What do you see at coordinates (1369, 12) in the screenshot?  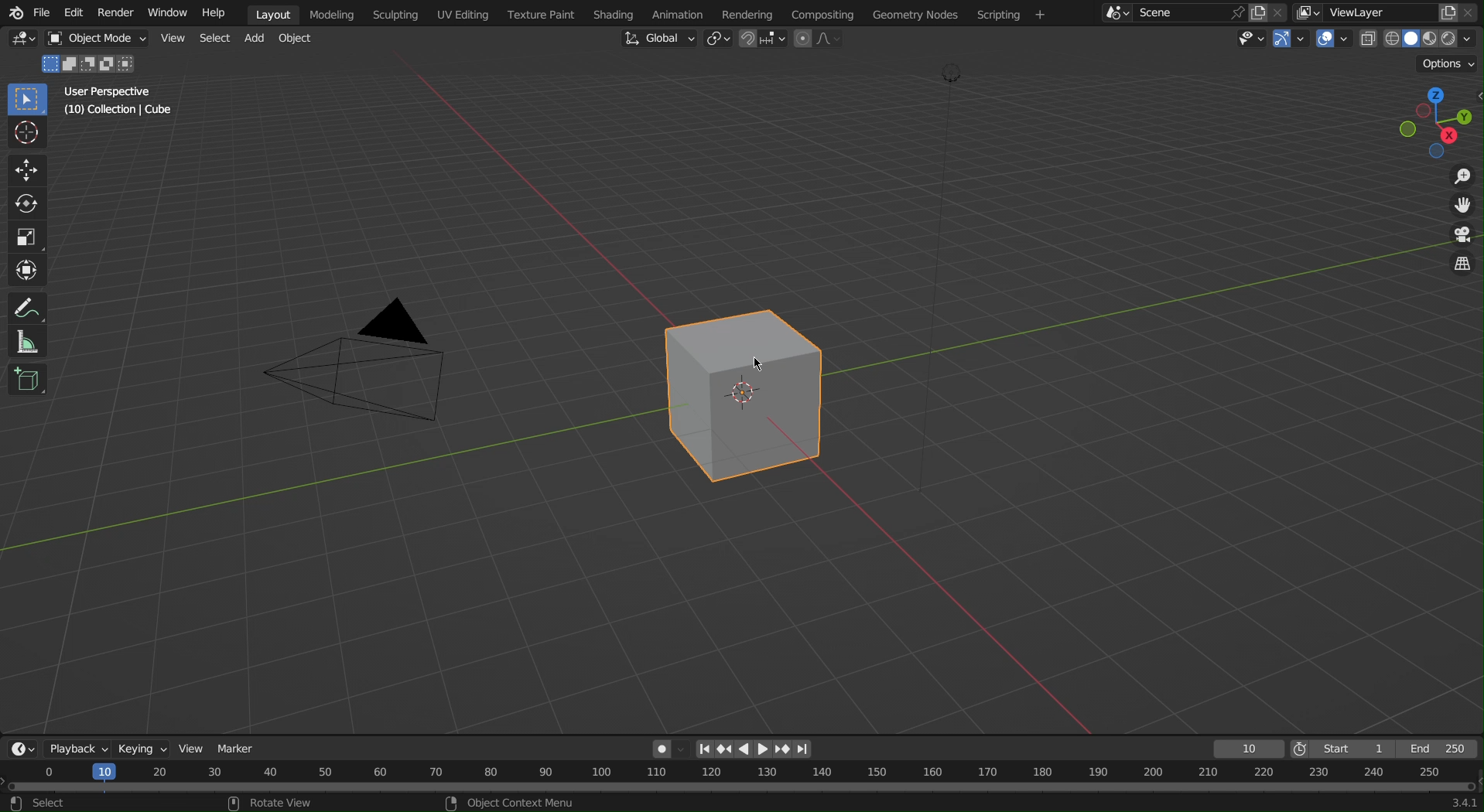 I see `ViewLayer` at bounding box center [1369, 12].